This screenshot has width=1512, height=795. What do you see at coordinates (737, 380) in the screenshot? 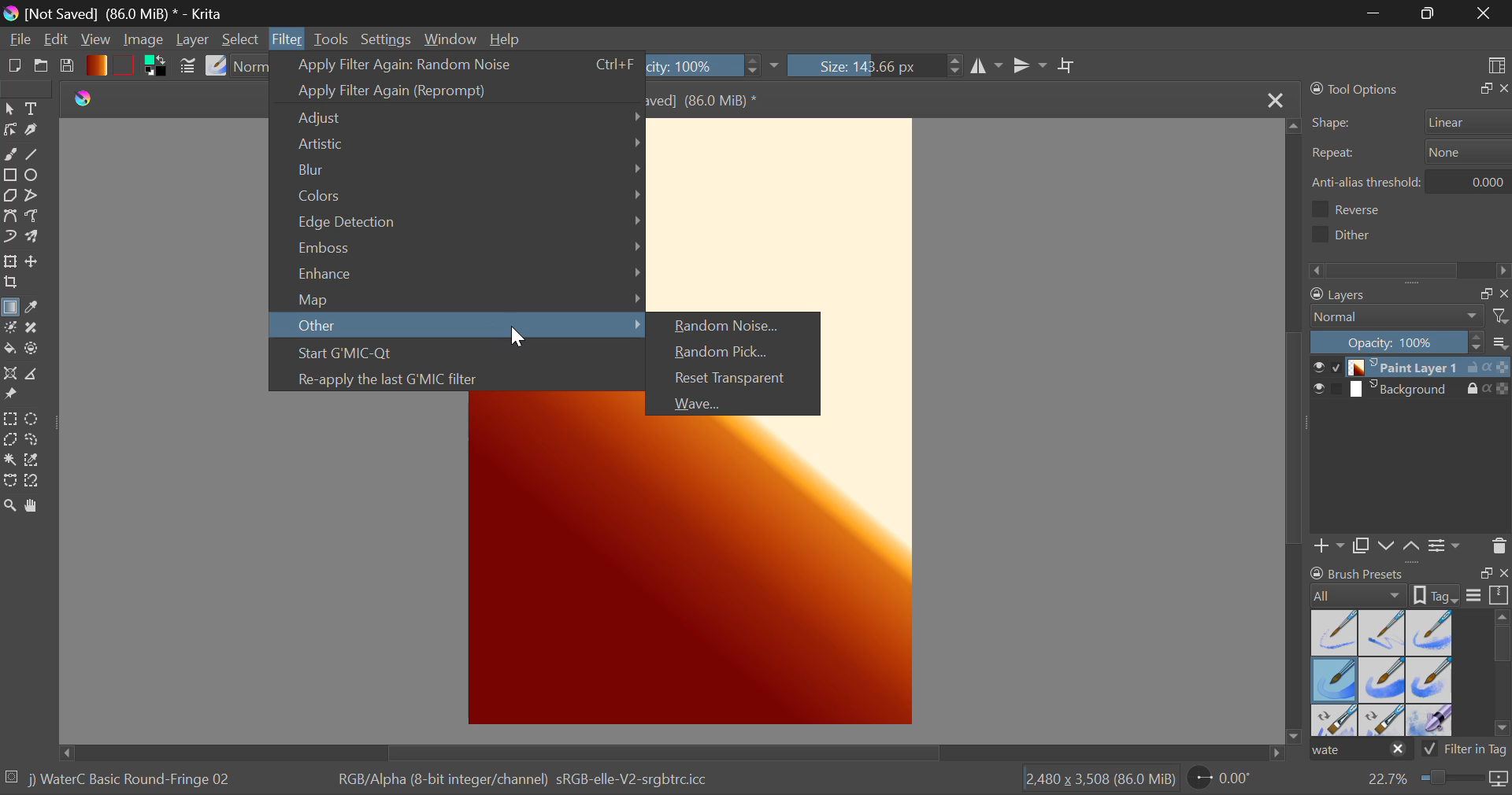
I see `Reset Transparent` at bounding box center [737, 380].